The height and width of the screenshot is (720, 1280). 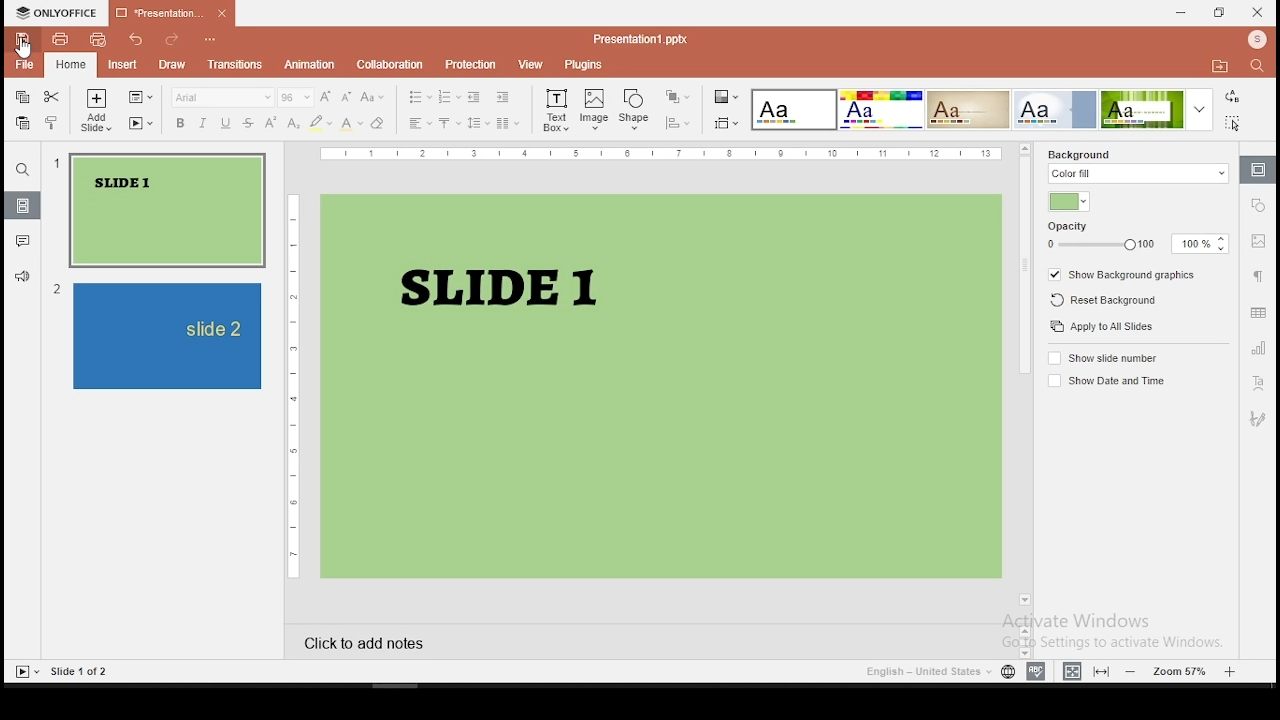 I want to click on Presentation1, so click(x=641, y=39).